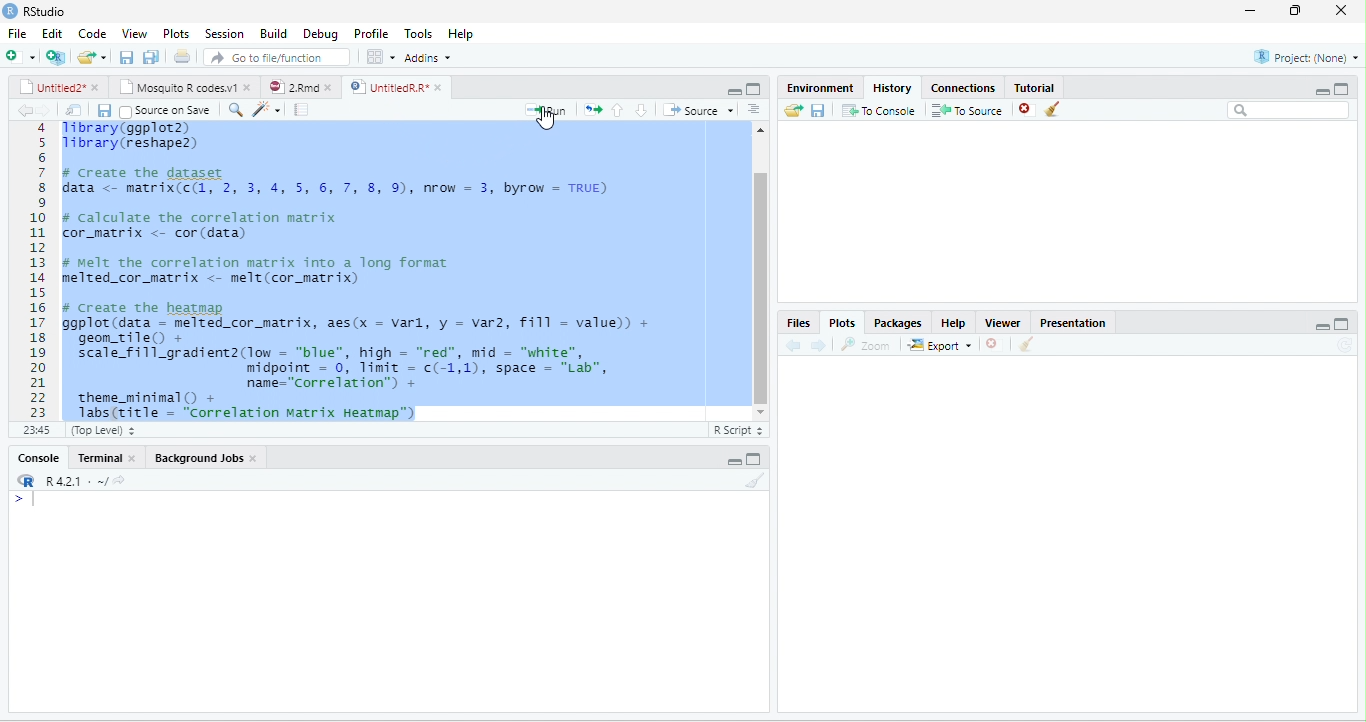  Describe the element at coordinates (418, 31) in the screenshot. I see `tools` at that location.